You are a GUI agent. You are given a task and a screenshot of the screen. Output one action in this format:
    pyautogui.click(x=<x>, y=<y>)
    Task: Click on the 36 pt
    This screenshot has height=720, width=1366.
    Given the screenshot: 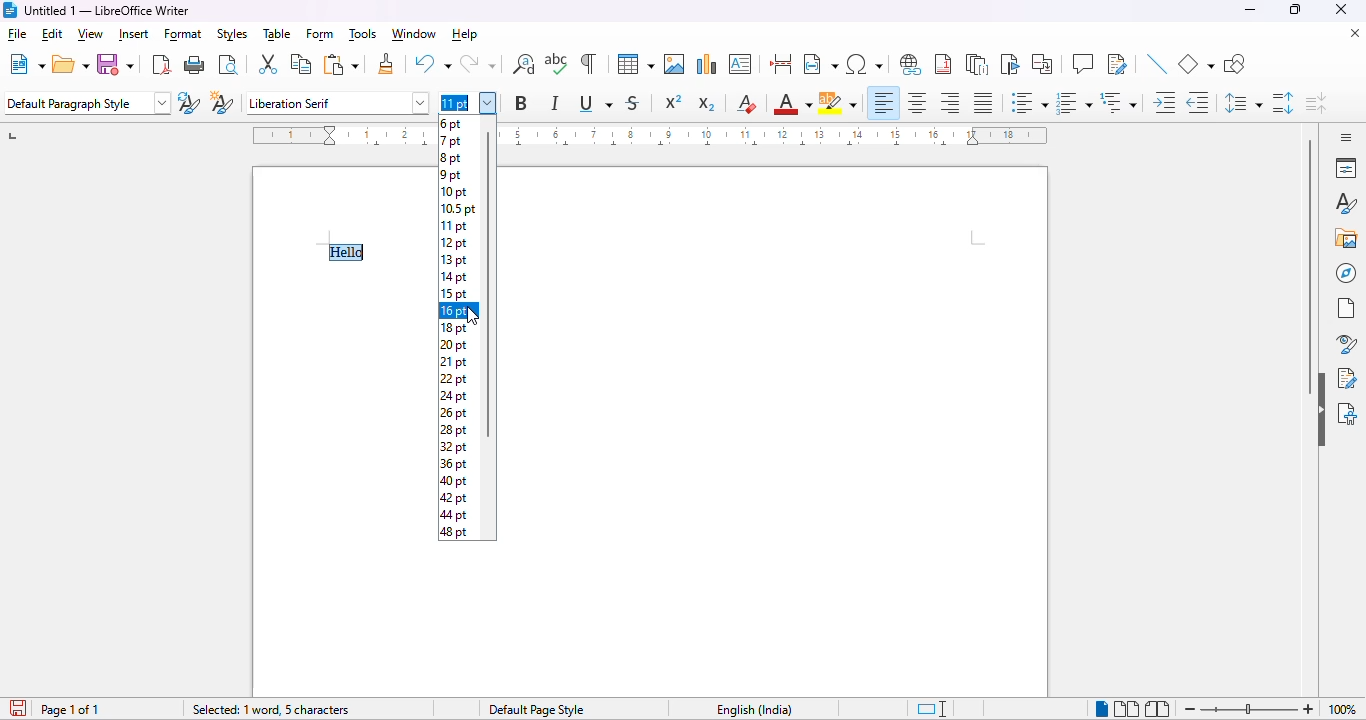 What is the action you would take?
    pyautogui.click(x=454, y=464)
    